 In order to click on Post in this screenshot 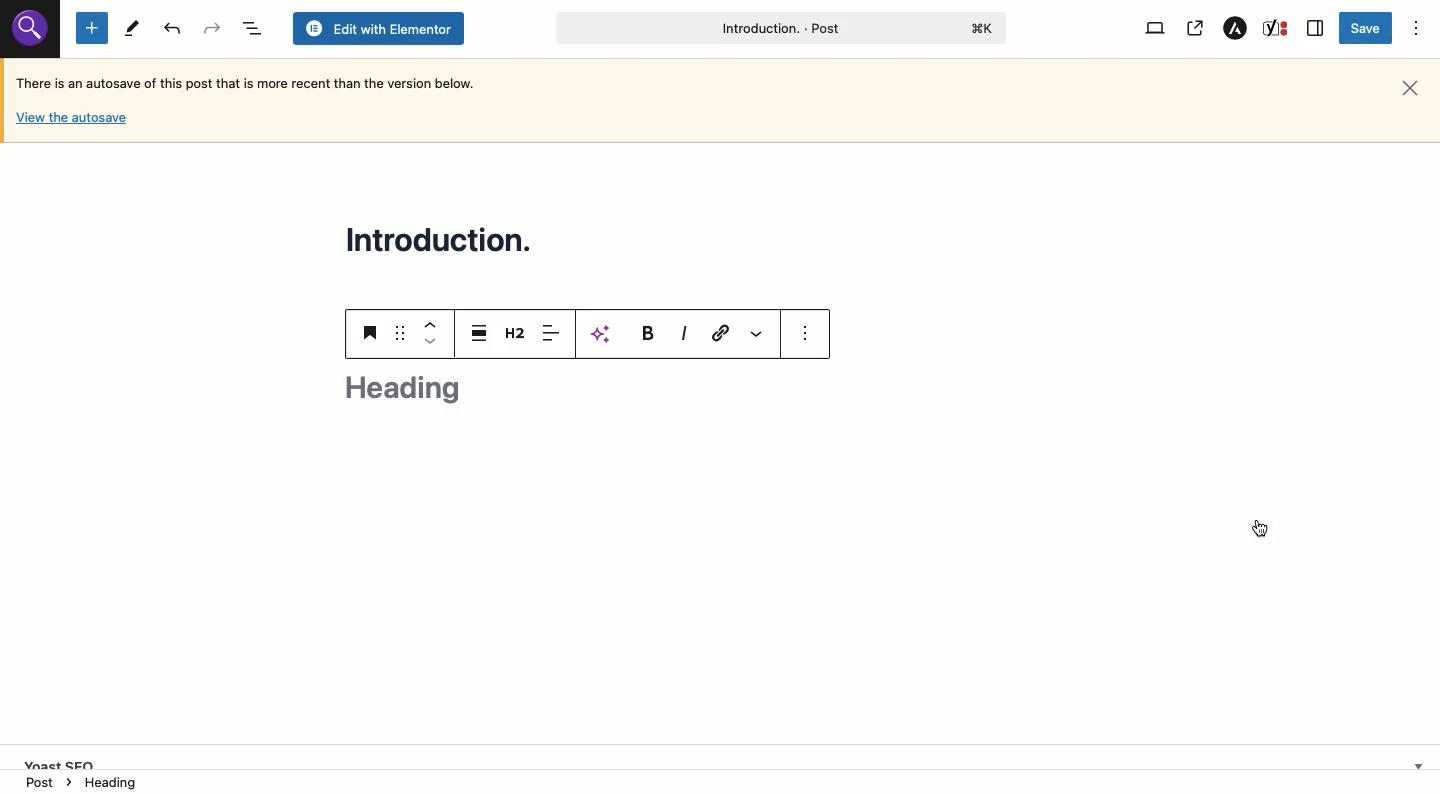, I will do `click(778, 28)`.